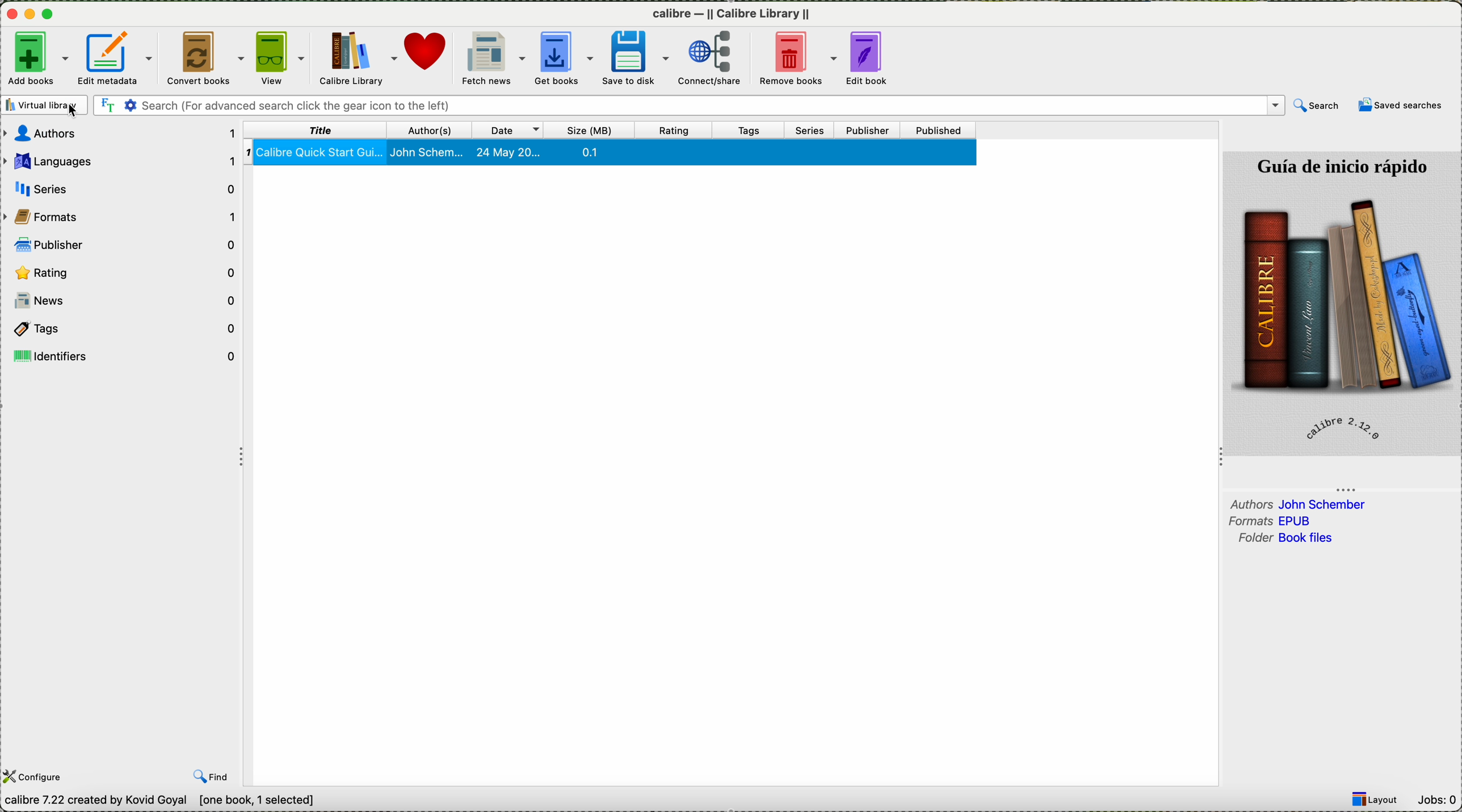  Describe the element at coordinates (36, 57) in the screenshot. I see `add books` at that location.